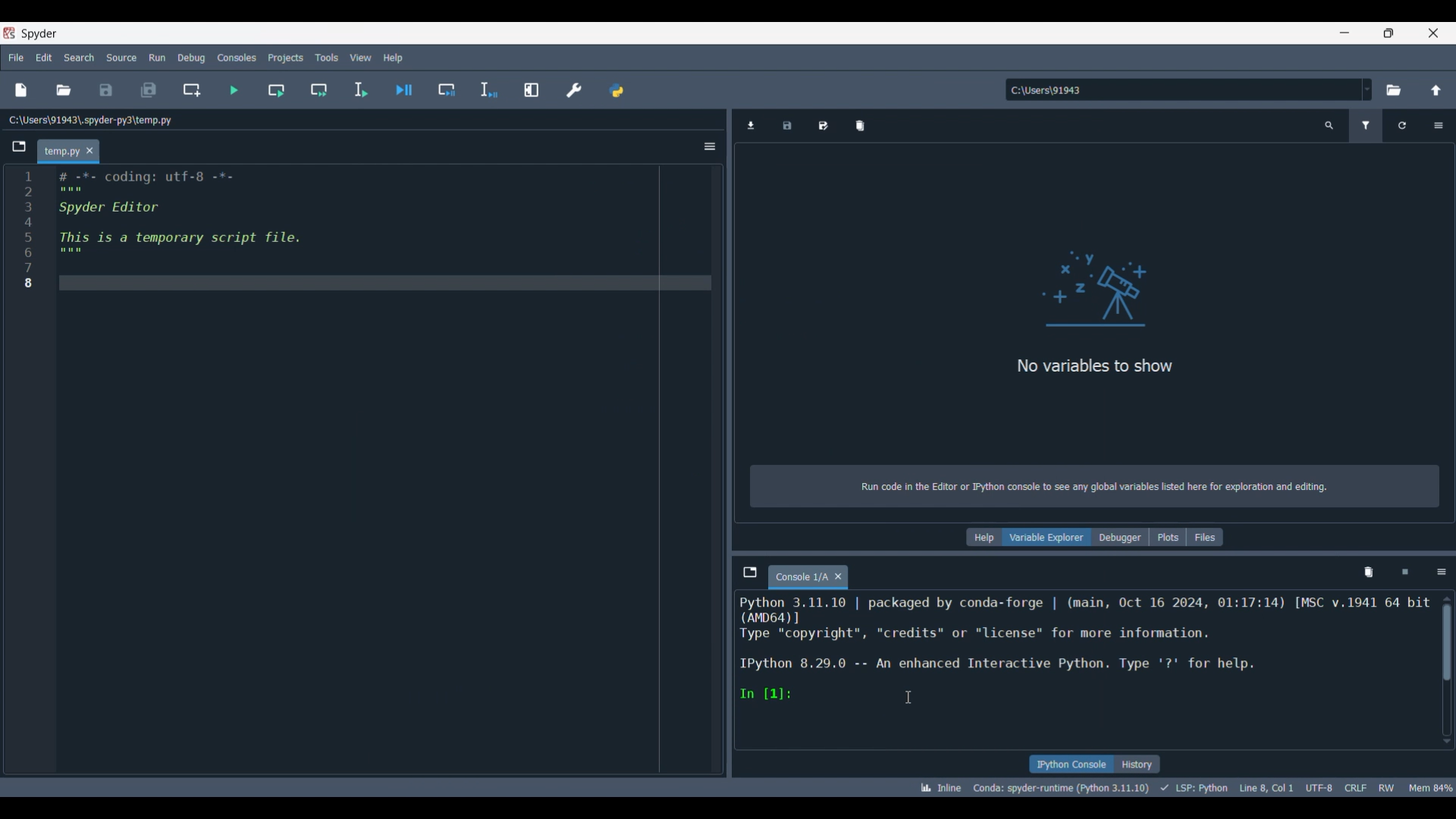  I want to click on Options, so click(1439, 126).